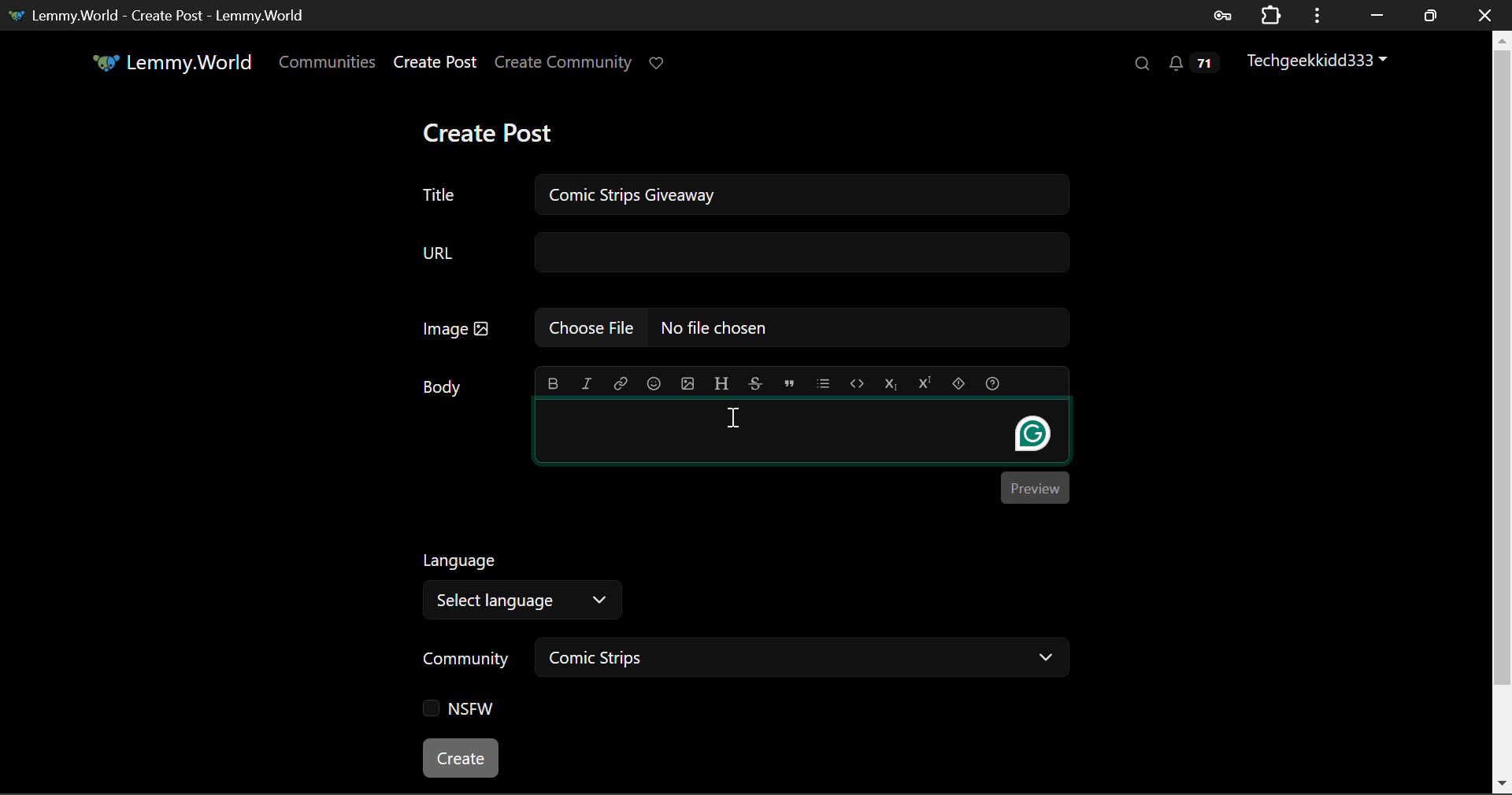  Describe the element at coordinates (462, 558) in the screenshot. I see `Language` at that location.